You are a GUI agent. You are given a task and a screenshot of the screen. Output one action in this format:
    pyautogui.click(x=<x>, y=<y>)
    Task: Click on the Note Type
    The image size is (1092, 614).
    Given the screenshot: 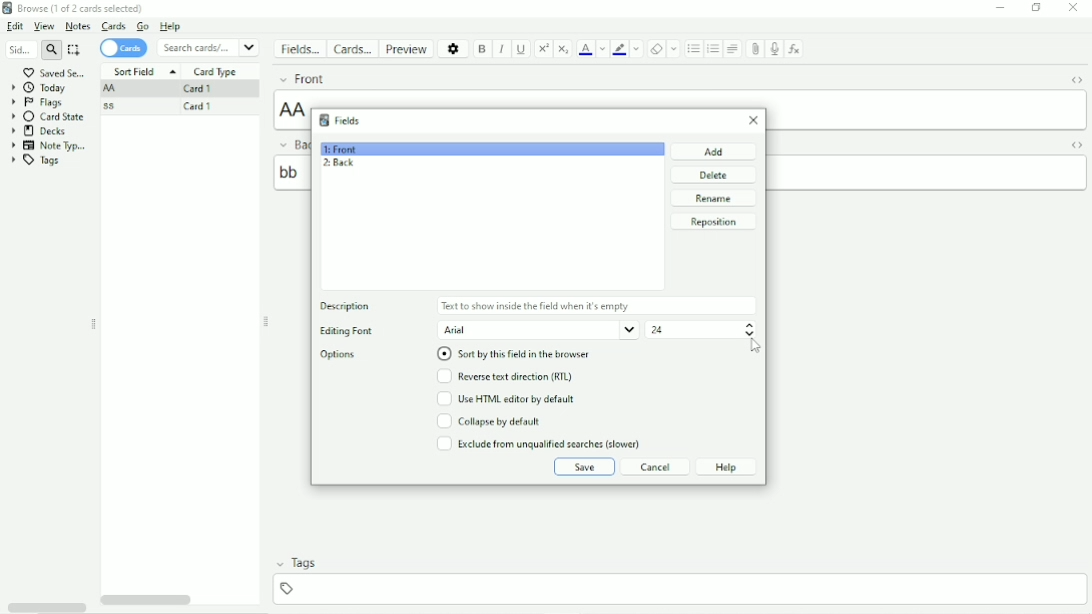 What is the action you would take?
    pyautogui.click(x=49, y=146)
    